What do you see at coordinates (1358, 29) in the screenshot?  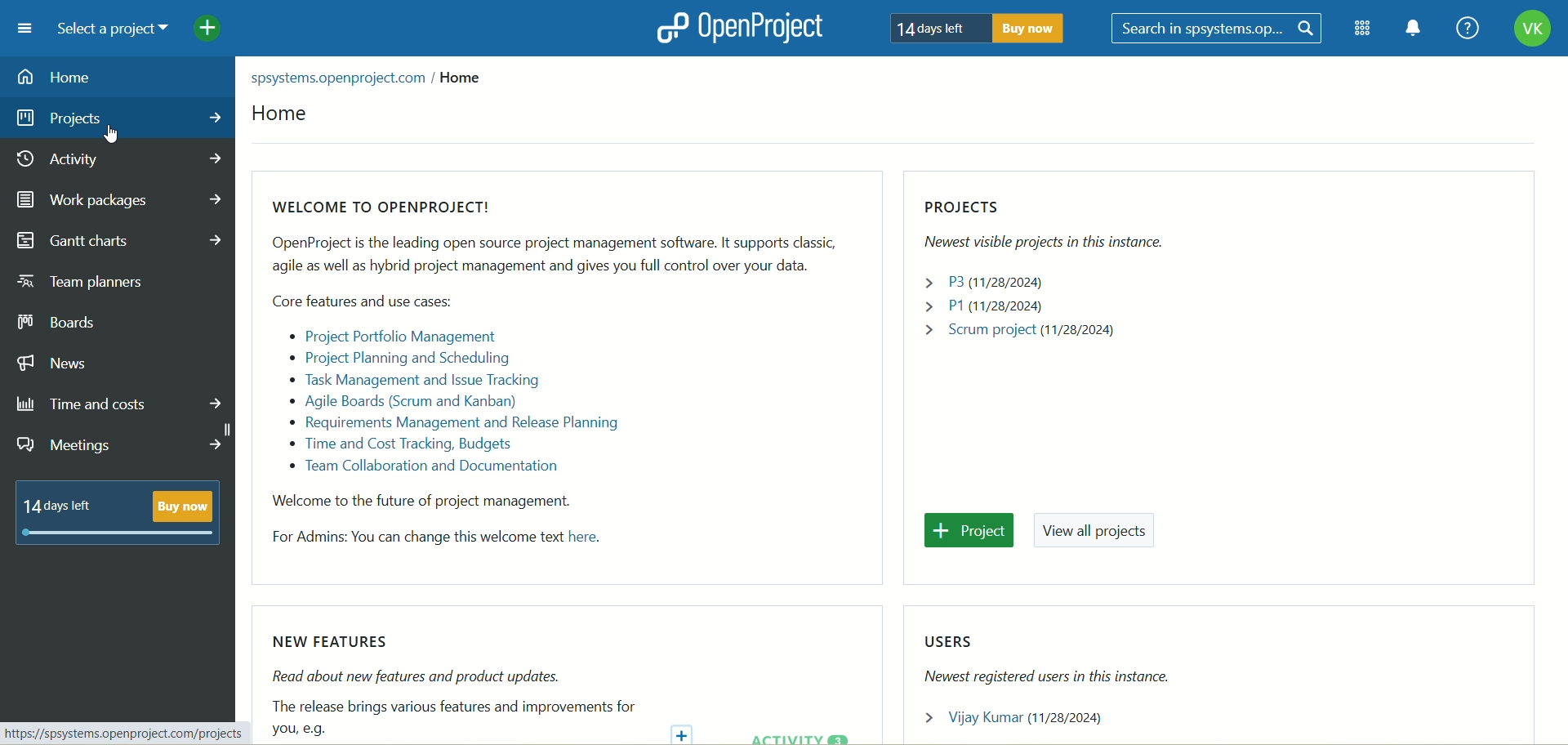 I see `modules` at bounding box center [1358, 29].